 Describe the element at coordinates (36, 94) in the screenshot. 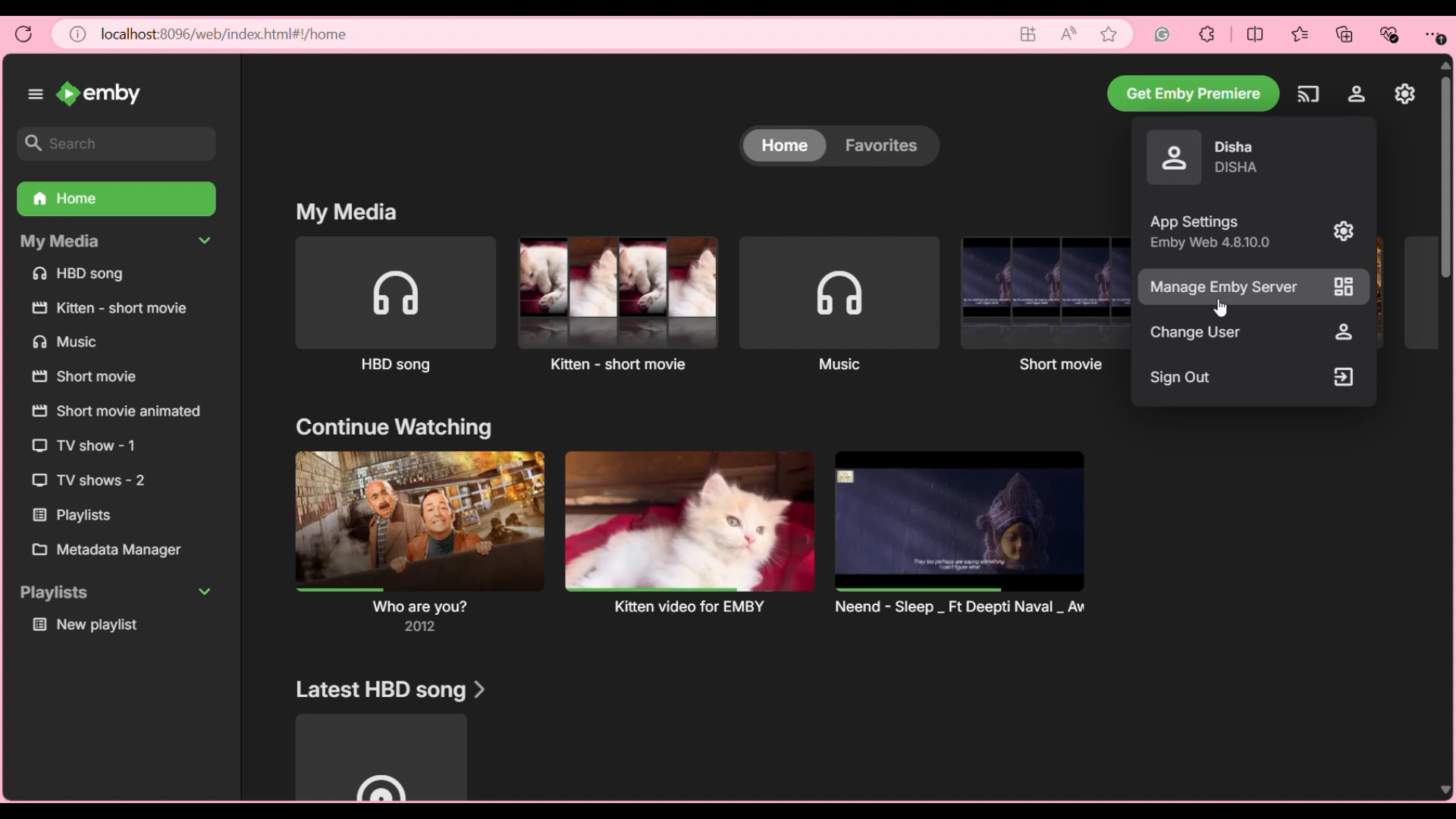

I see `Show/Hide left panel` at that location.